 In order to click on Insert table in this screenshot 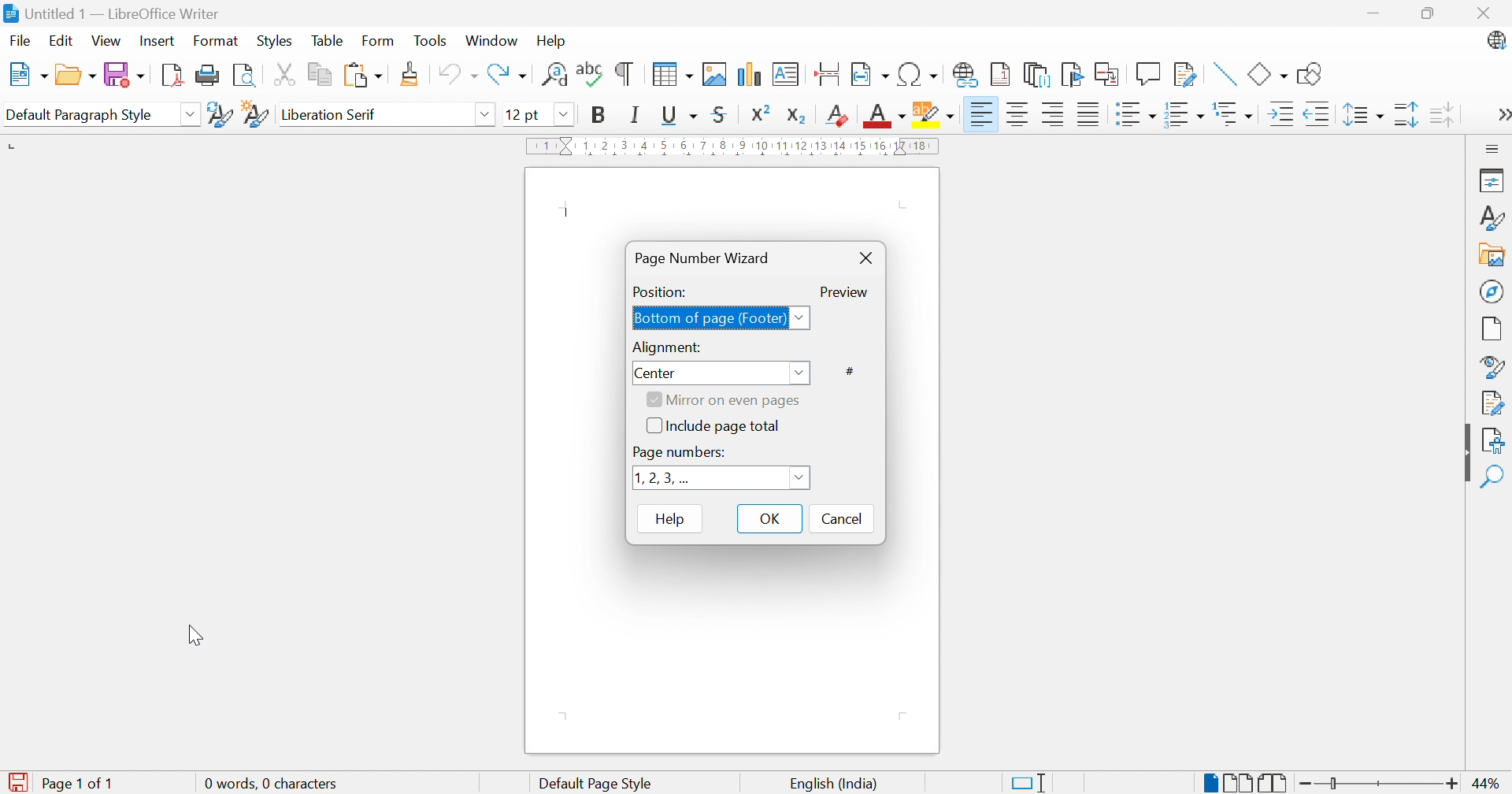, I will do `click(669, 74)`.